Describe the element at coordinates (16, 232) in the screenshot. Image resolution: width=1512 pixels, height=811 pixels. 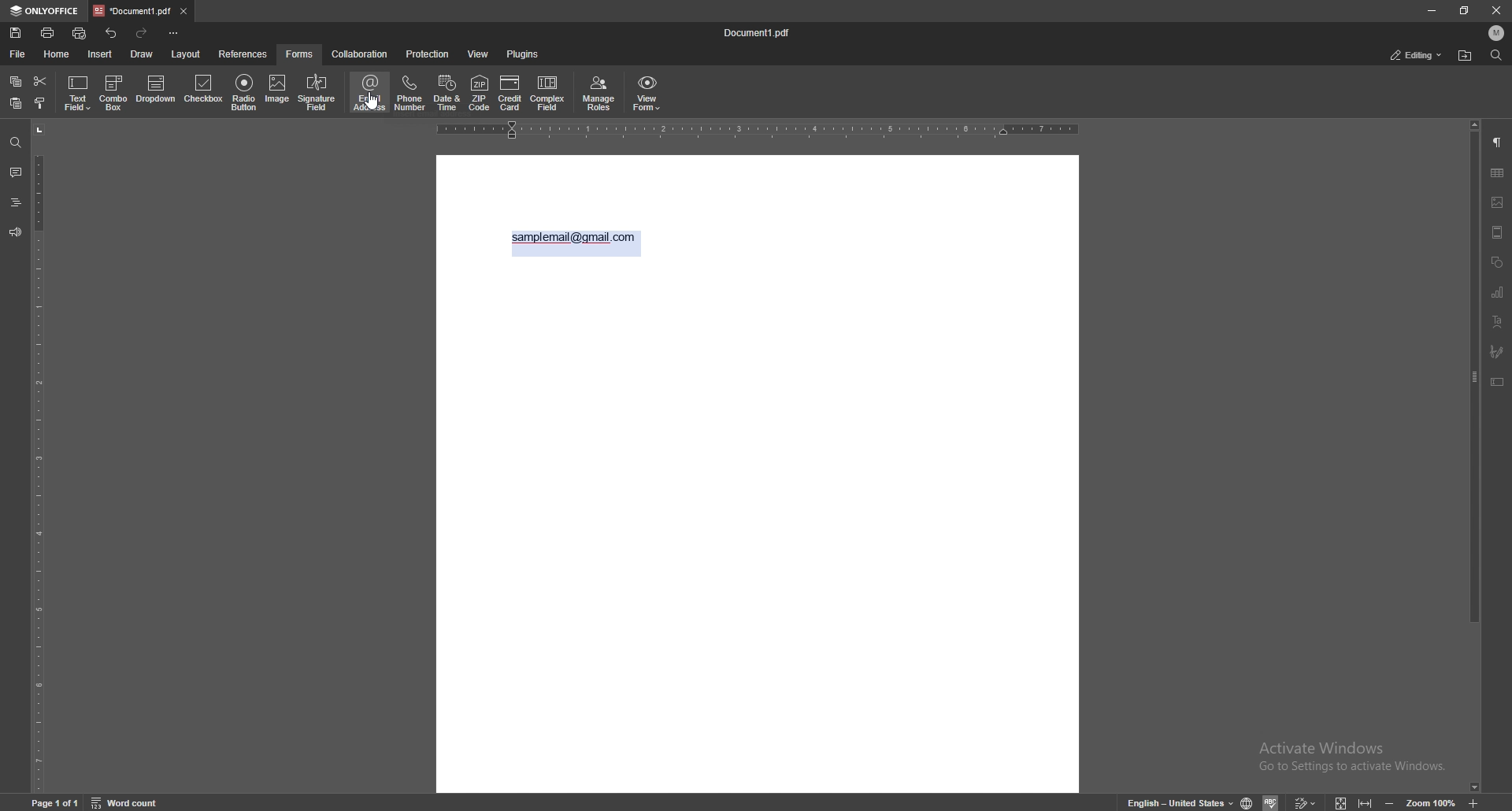
I see `feedback` at that location.